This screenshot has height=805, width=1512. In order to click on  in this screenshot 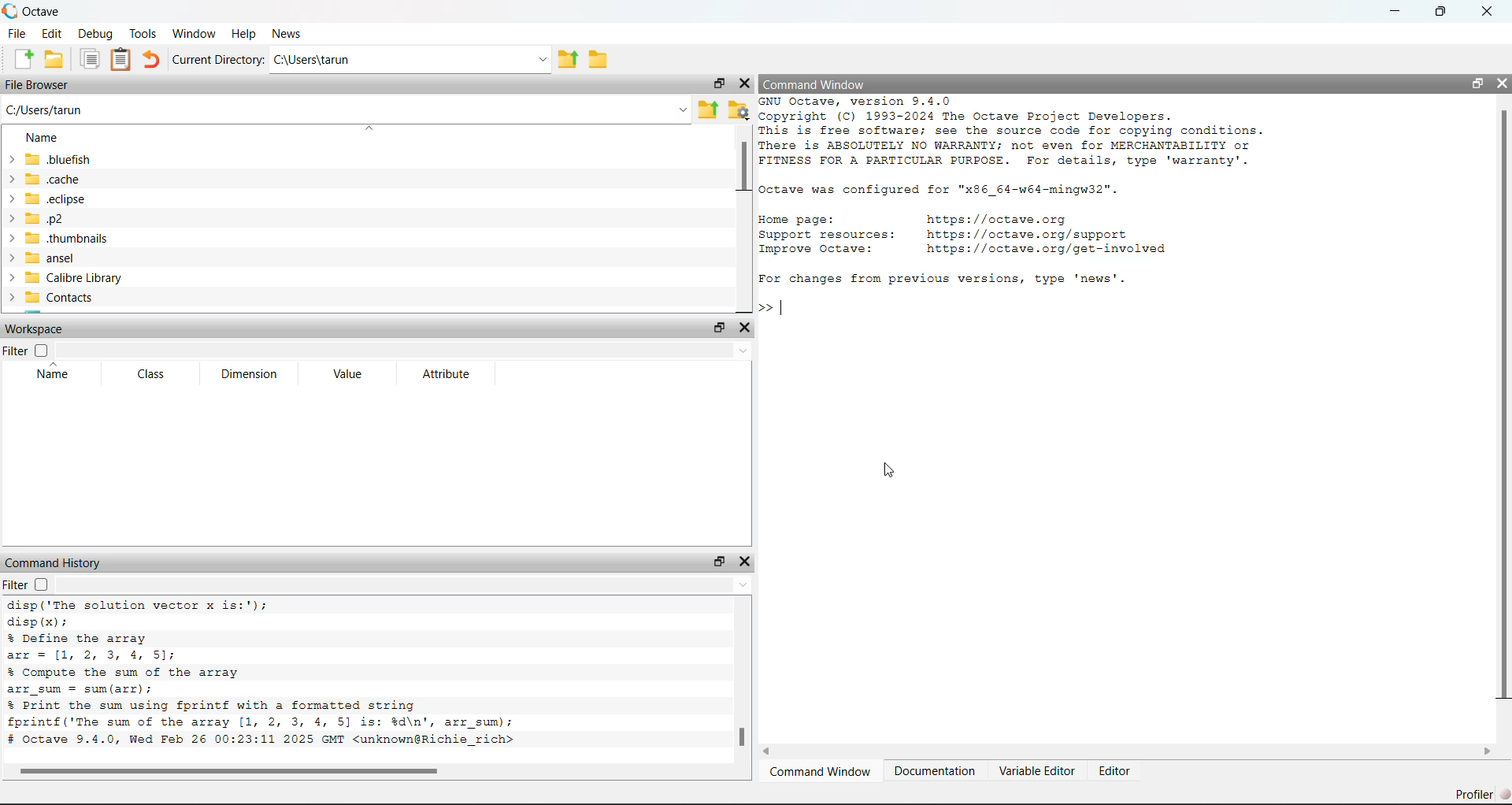, I will do `click(232, 770)`.